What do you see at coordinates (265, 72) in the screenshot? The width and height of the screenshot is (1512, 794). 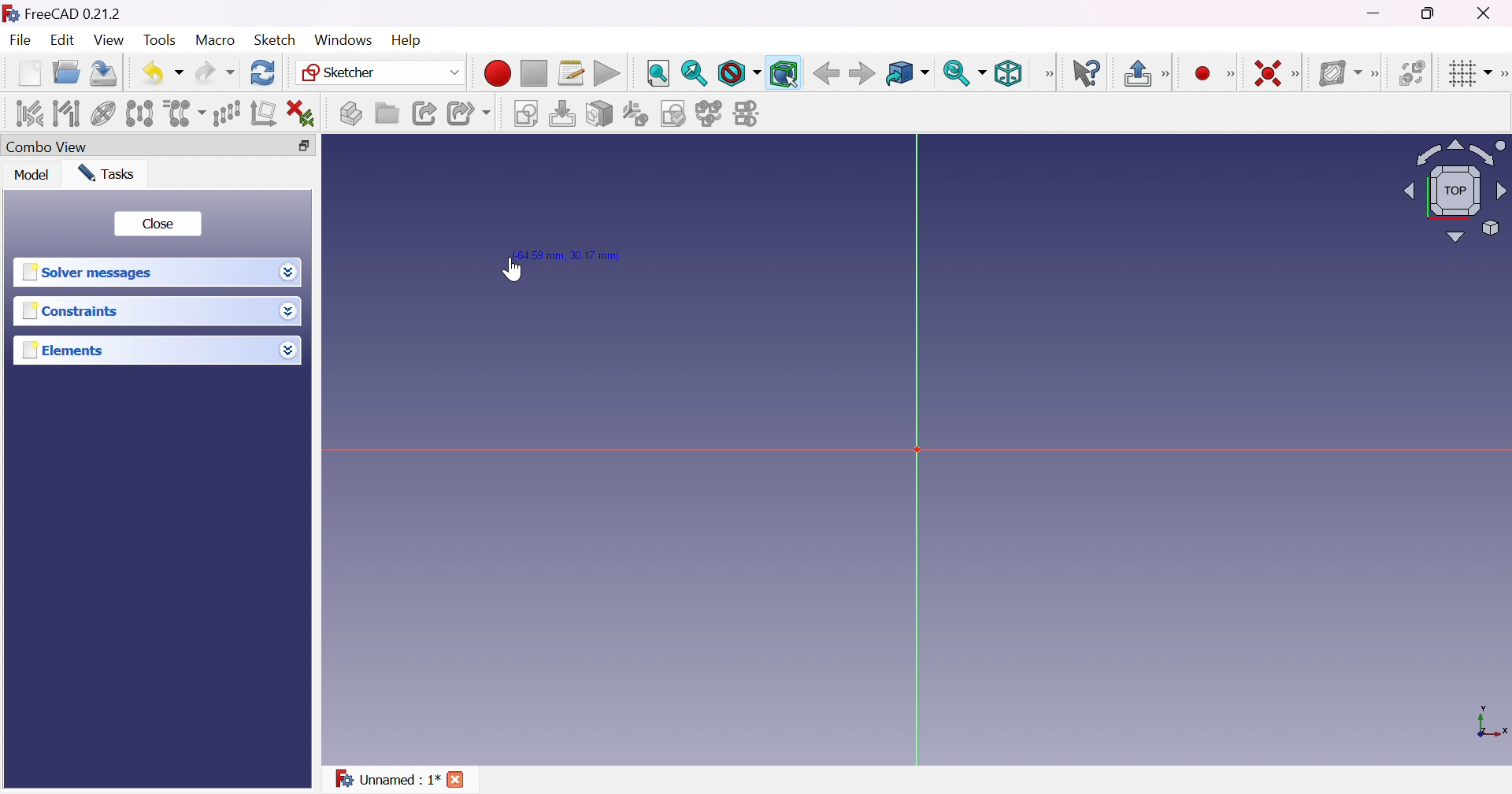 I see `Refresh` at bounding box center [265, 72].